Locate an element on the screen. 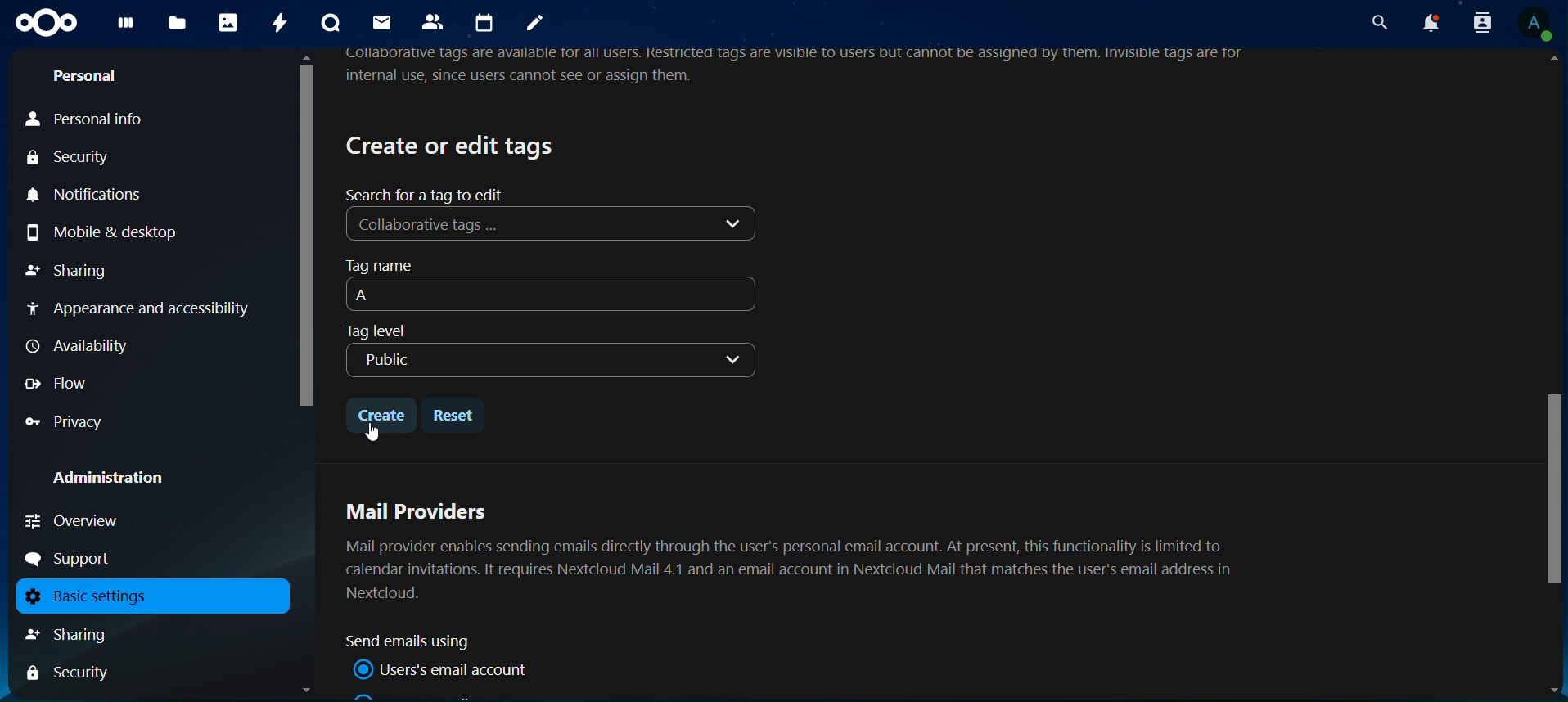  Tag level is located at coordinates (376, 331).